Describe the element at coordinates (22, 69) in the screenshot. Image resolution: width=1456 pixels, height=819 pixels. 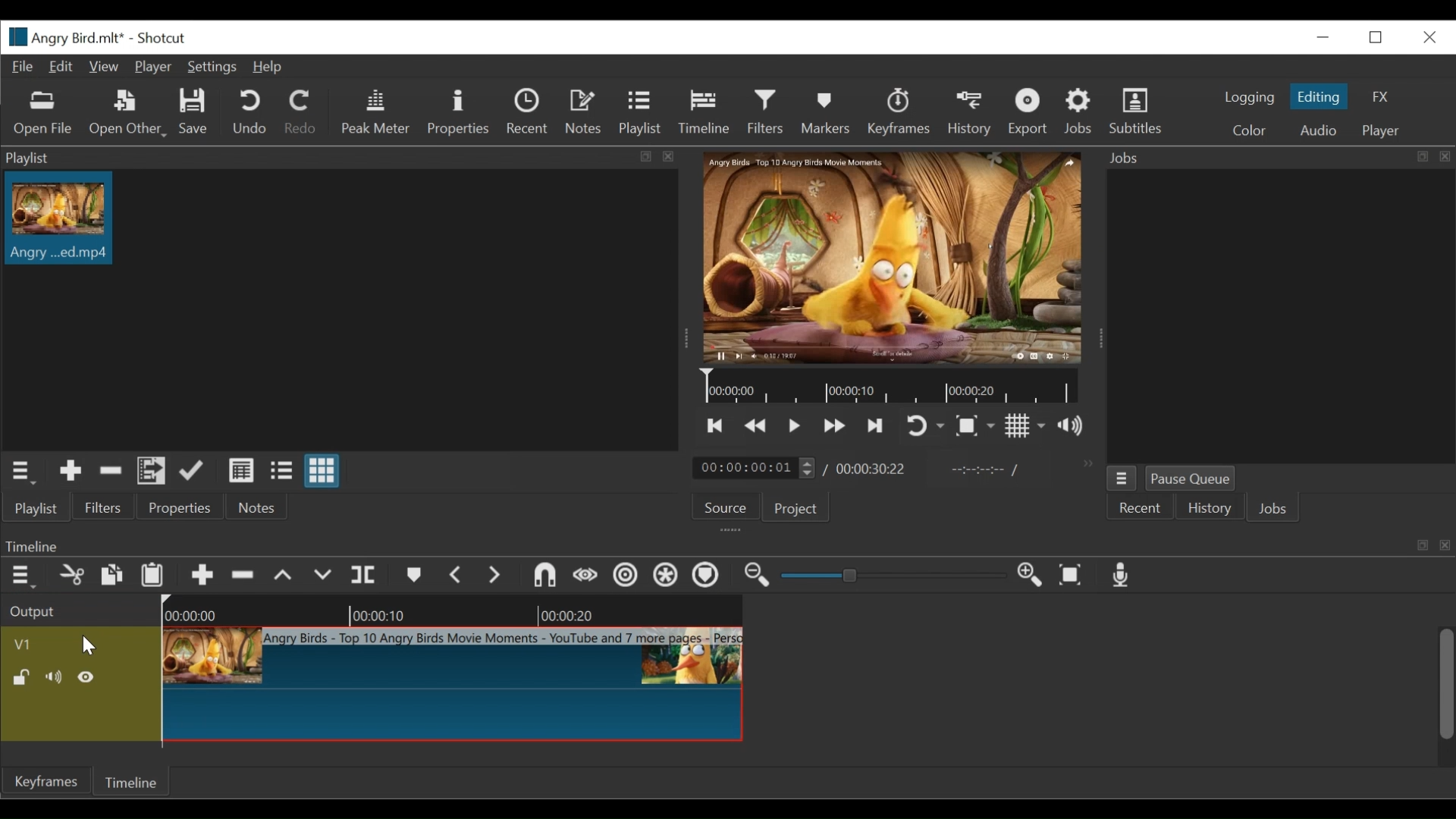
I see `File` at that location.